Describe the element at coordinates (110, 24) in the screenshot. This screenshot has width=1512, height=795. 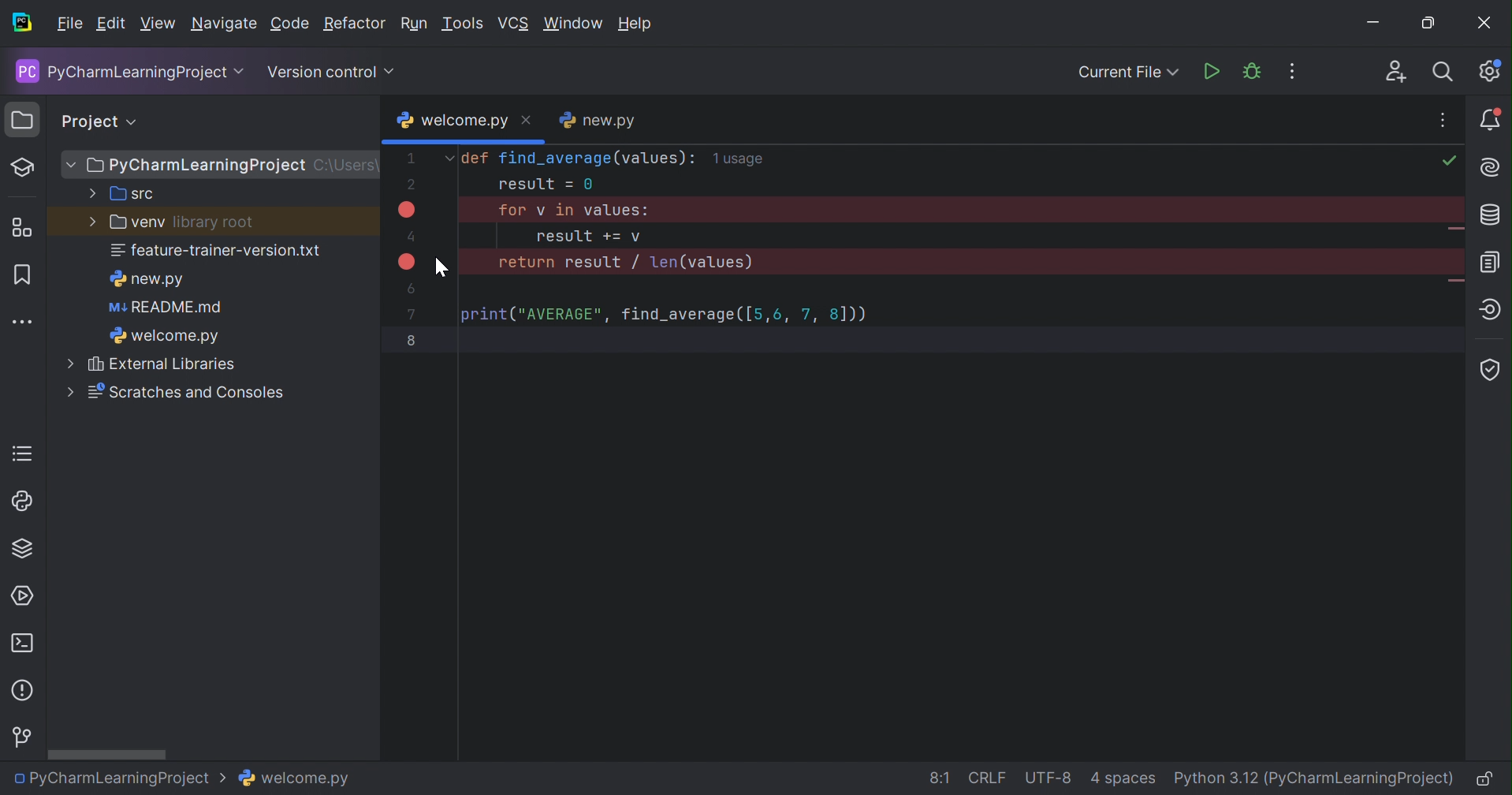
I see `Edit` at that location.